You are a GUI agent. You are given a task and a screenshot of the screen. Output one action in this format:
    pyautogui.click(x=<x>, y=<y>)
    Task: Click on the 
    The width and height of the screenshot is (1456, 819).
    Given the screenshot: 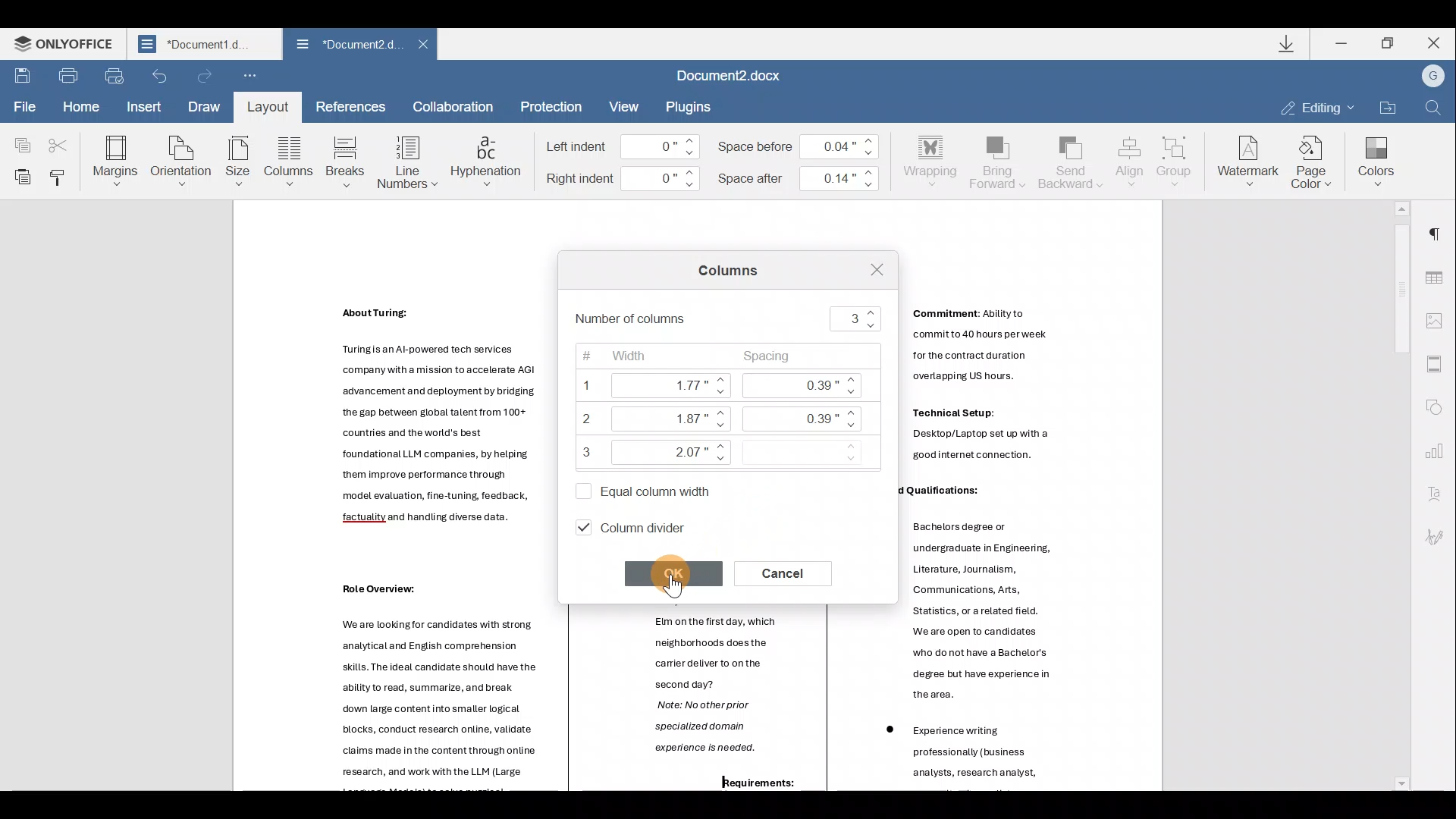 What is the action you would take?
    pyautogui.click(x=981, y=439)
    